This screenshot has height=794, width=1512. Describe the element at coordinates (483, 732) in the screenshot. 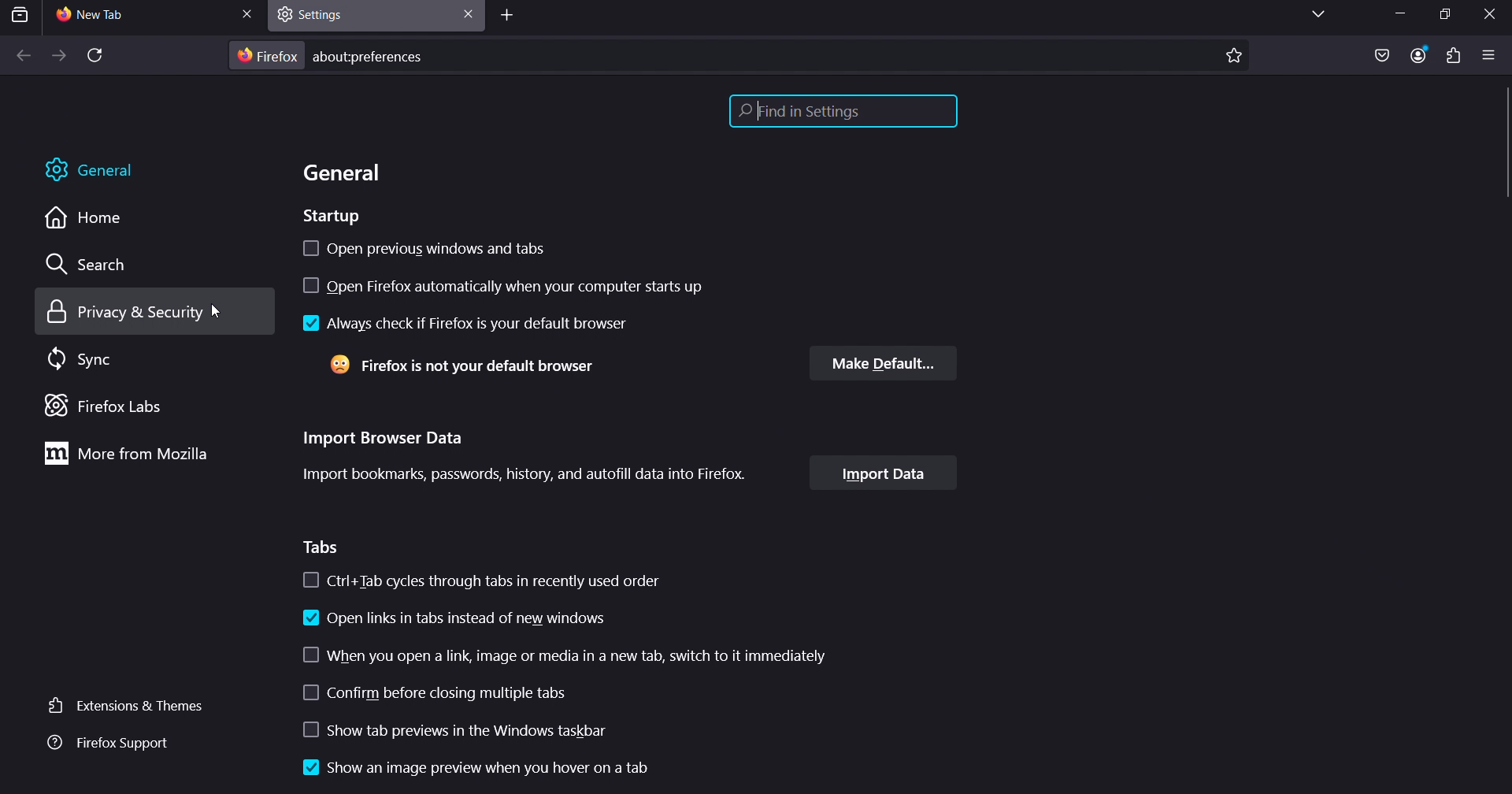

I see `show tab previous in the windows taskbar` at that location.